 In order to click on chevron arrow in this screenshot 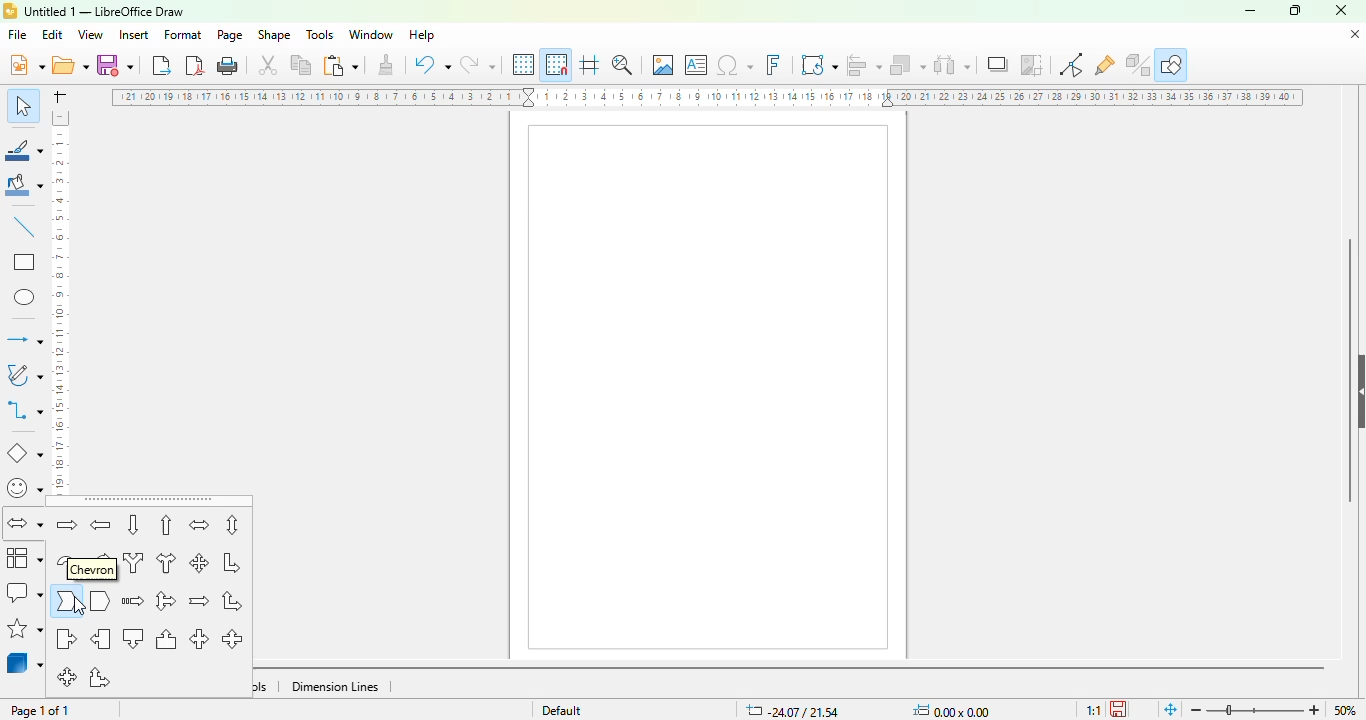, I will do `click(65, 601)`.